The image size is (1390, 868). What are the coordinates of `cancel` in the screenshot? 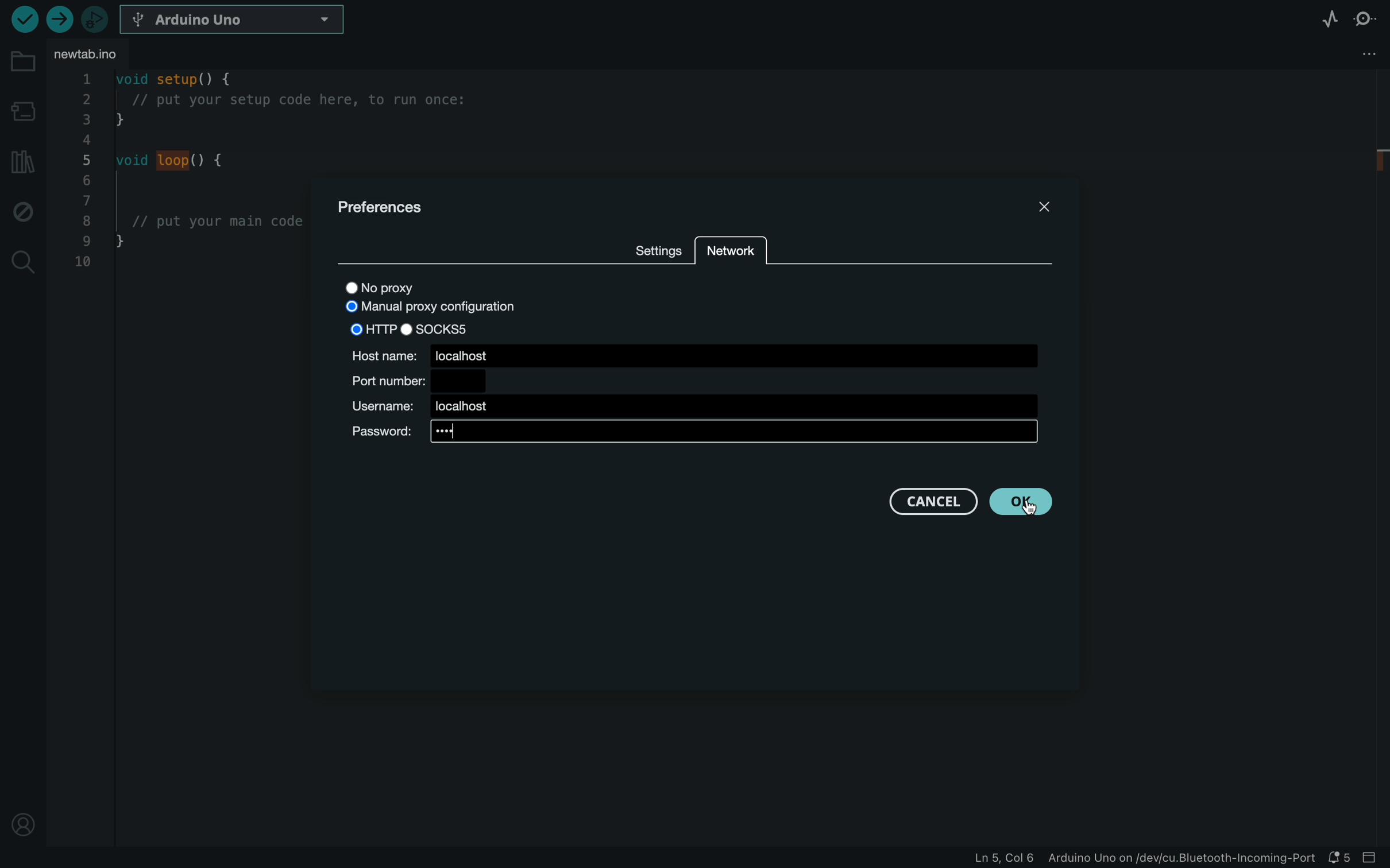 It's located at (930, 502).